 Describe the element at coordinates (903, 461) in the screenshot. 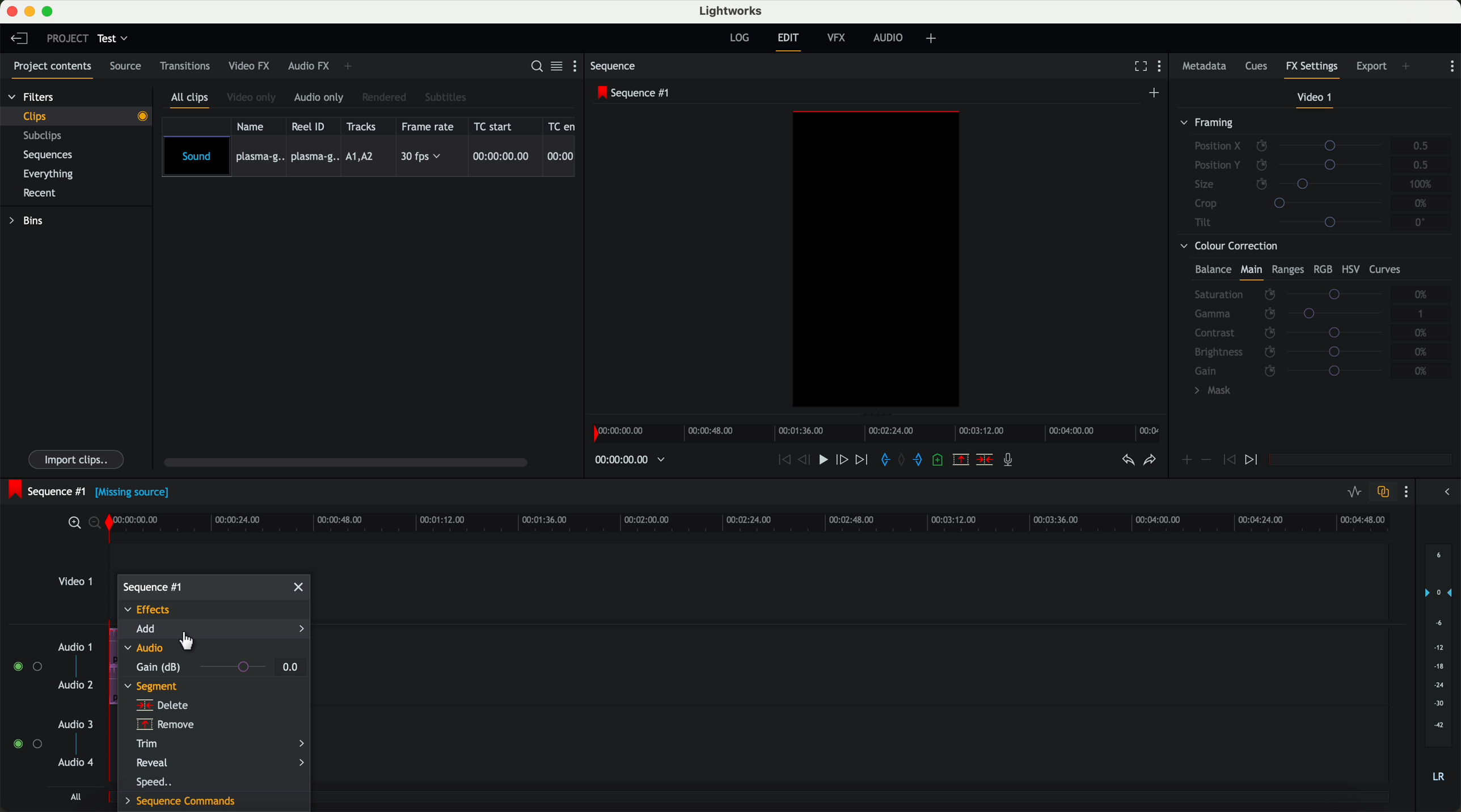

I see `clear all marks` at that location.